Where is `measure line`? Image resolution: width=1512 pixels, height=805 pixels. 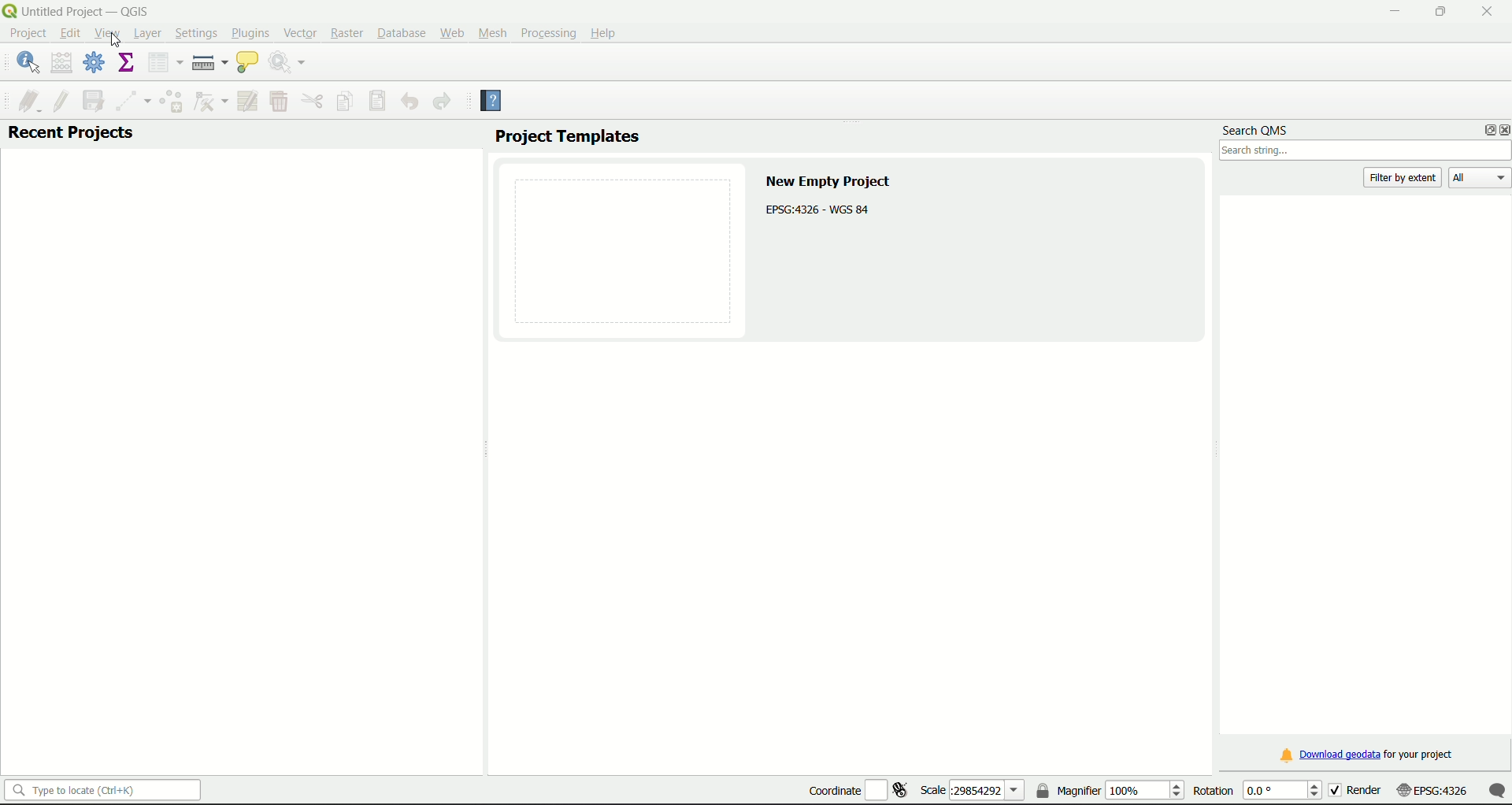 measure line is located at coordinates (209, 63).